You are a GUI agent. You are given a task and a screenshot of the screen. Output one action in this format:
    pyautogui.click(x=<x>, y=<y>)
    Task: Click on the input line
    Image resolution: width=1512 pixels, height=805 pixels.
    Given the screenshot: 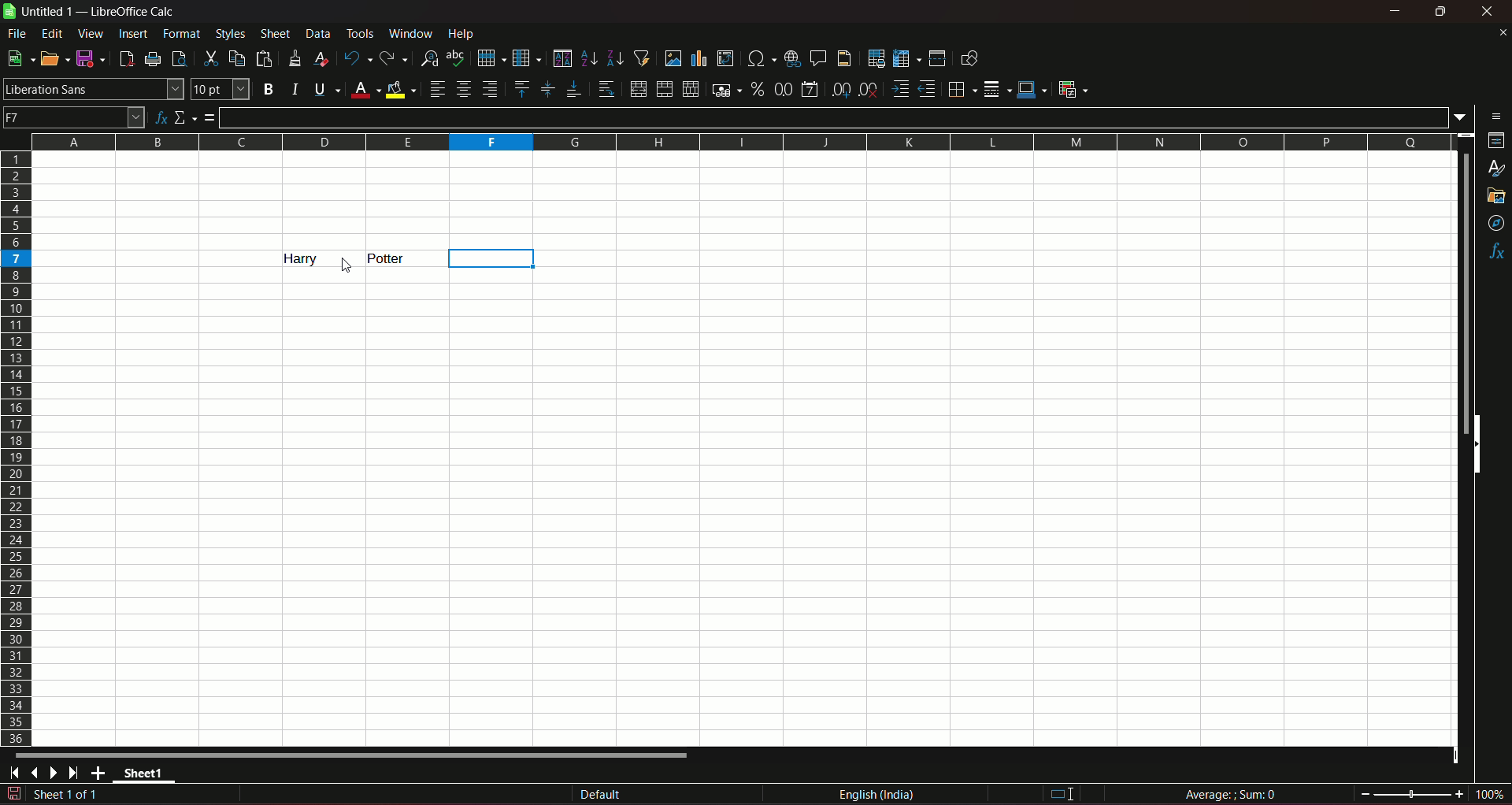 What is the action you would take?
    pyautogui.click(x=836, y=117)
    